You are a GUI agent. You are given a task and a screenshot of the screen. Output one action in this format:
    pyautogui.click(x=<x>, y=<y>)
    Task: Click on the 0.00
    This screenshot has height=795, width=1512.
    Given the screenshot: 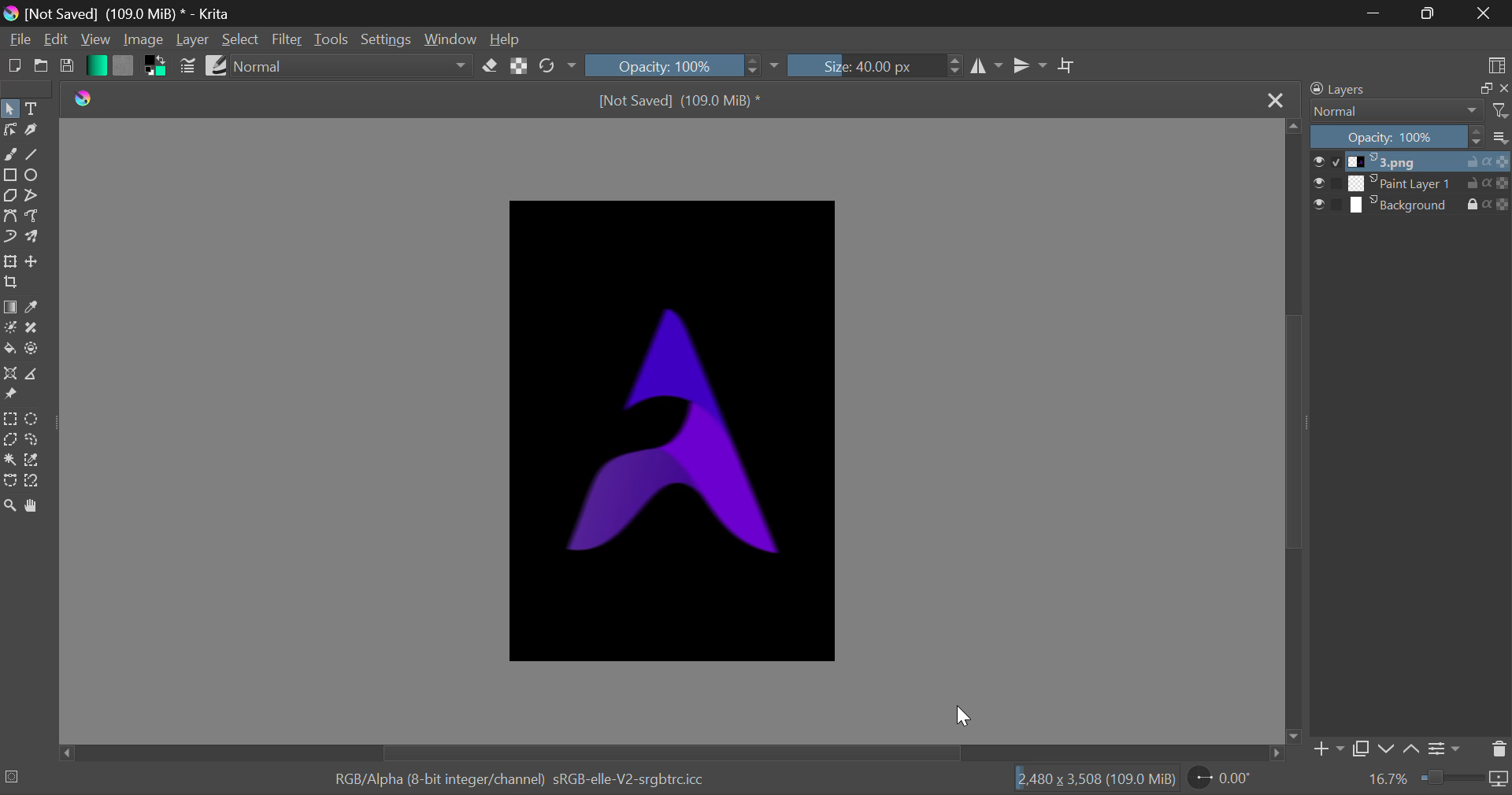 What is the action you would take?
    pyautogui.click(x=1223, y=780)
    